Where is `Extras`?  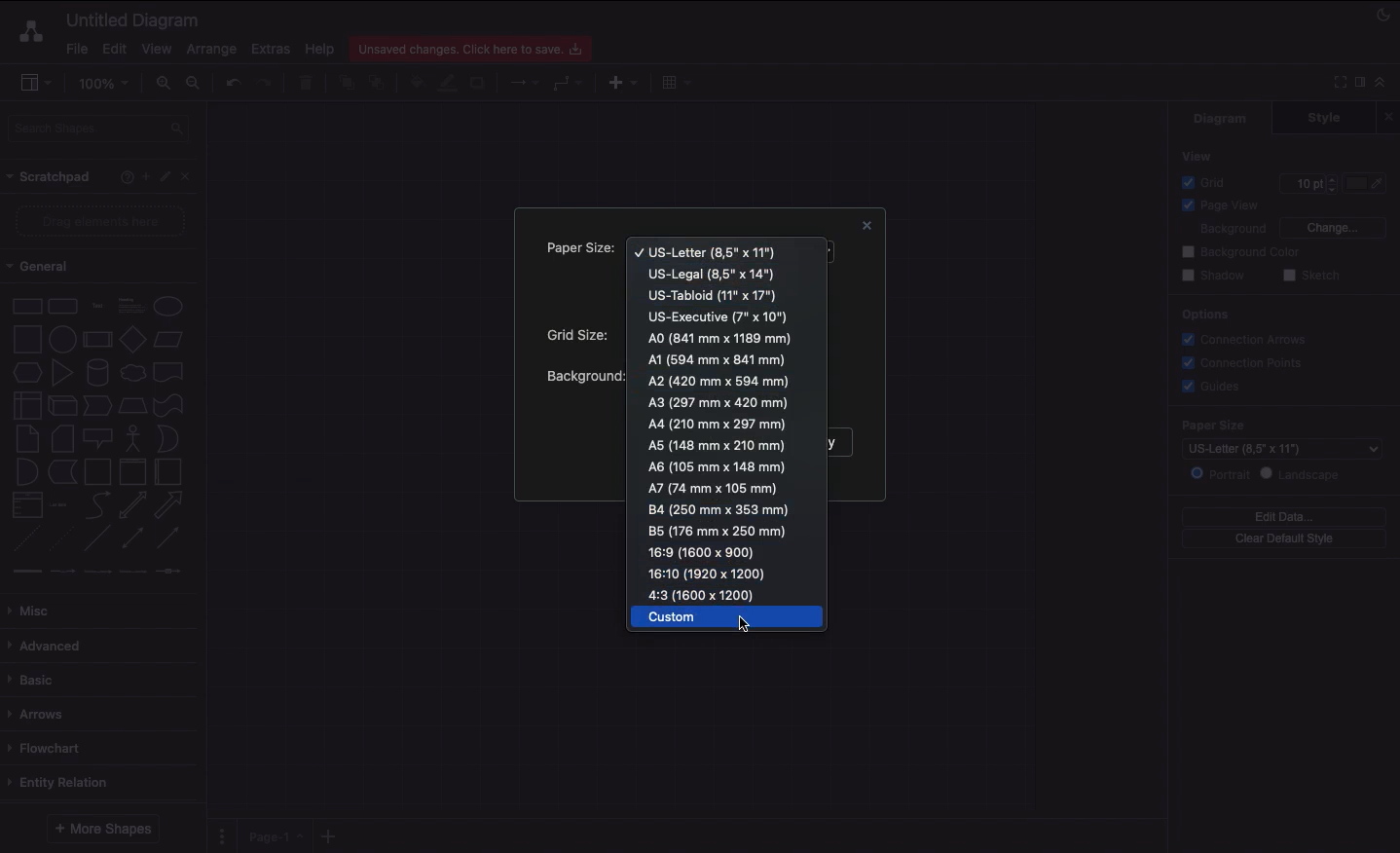
Extras is located at coordinates (271, 48).